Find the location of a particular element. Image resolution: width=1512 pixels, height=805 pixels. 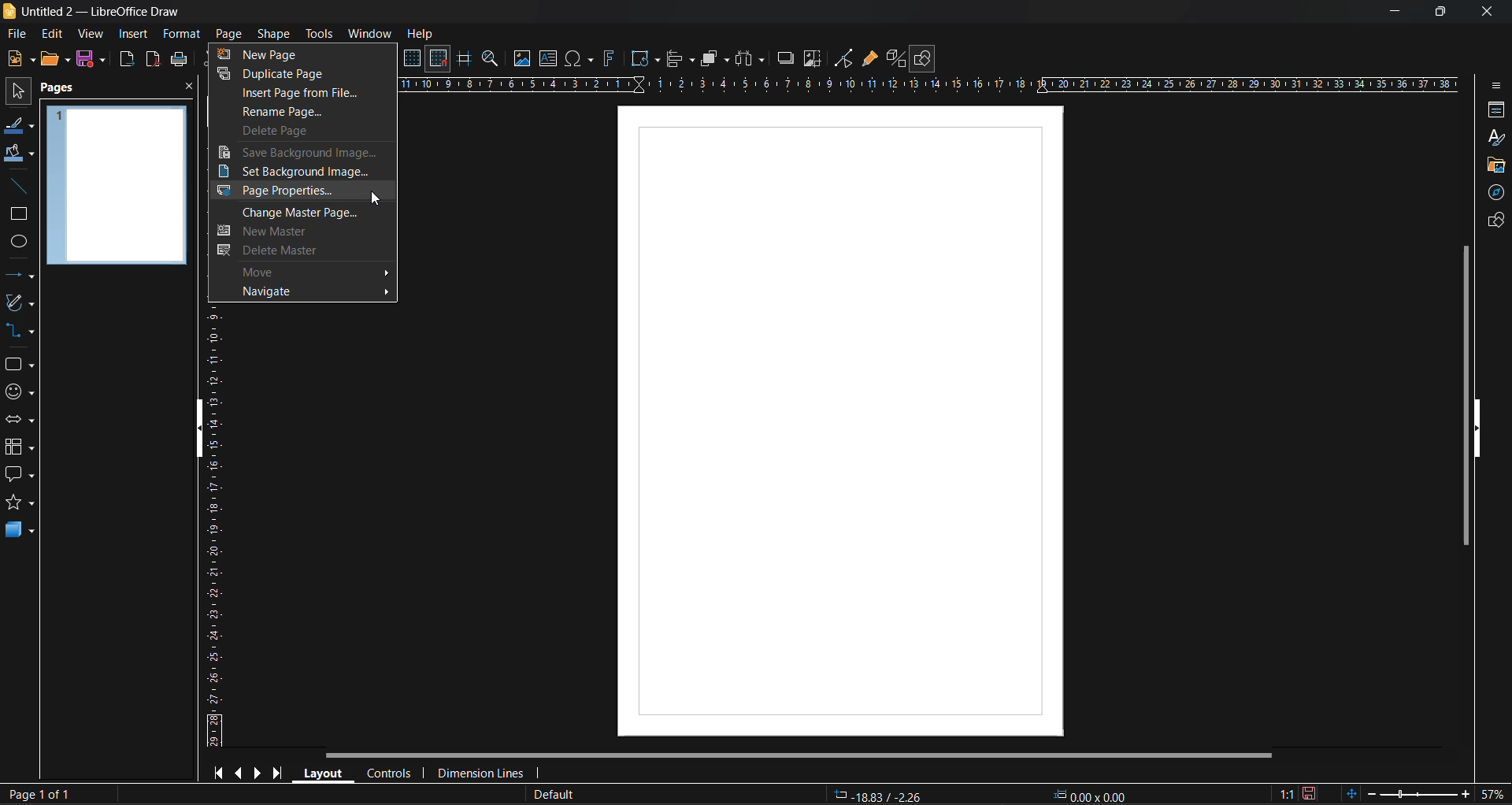

textbox is located at coordinates (549, 59).